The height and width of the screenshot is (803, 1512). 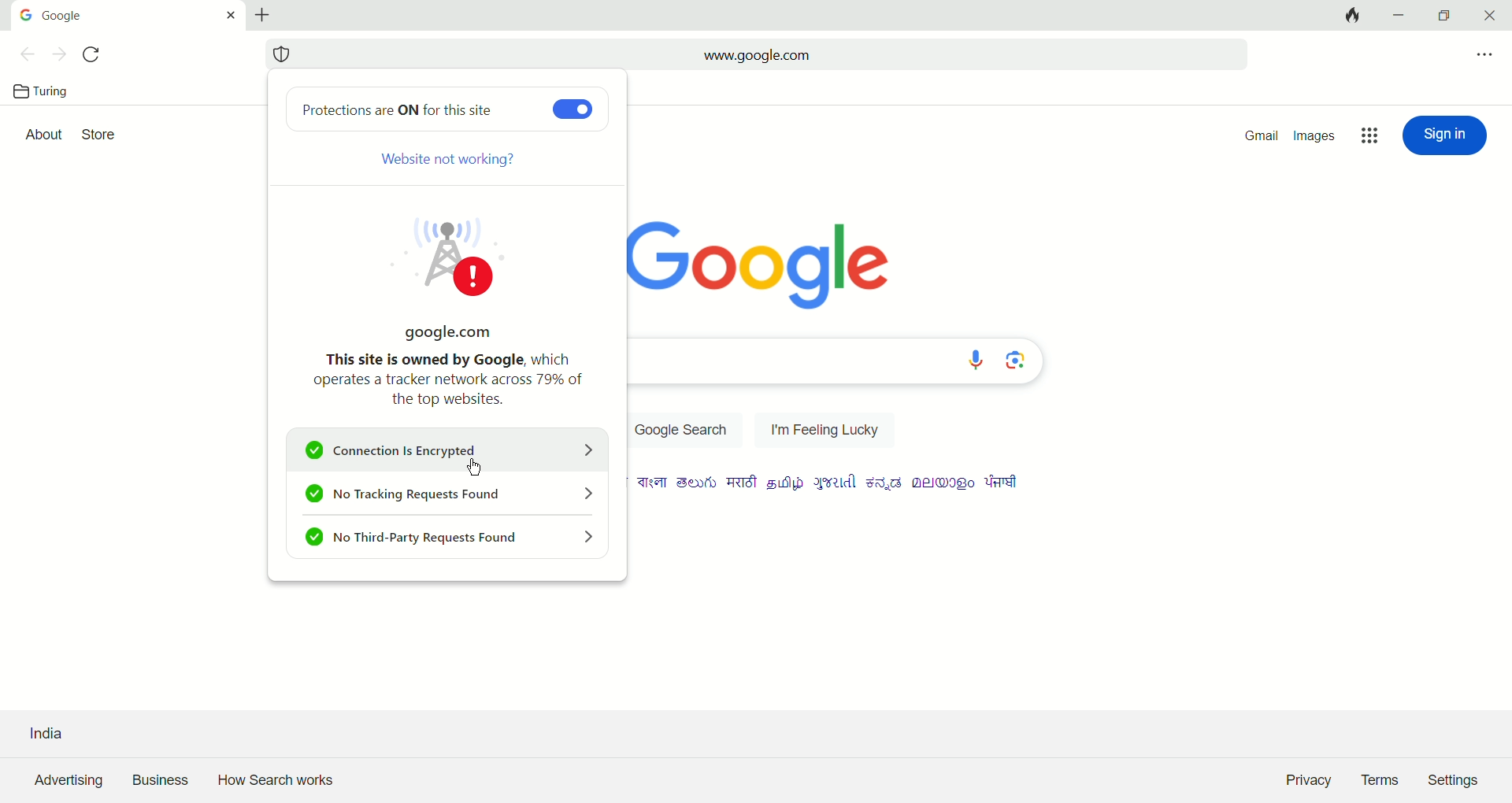 What do you see at coordinates (226, 16) in the screenshot?
I see `close tab` at bounding box center [226, 16].